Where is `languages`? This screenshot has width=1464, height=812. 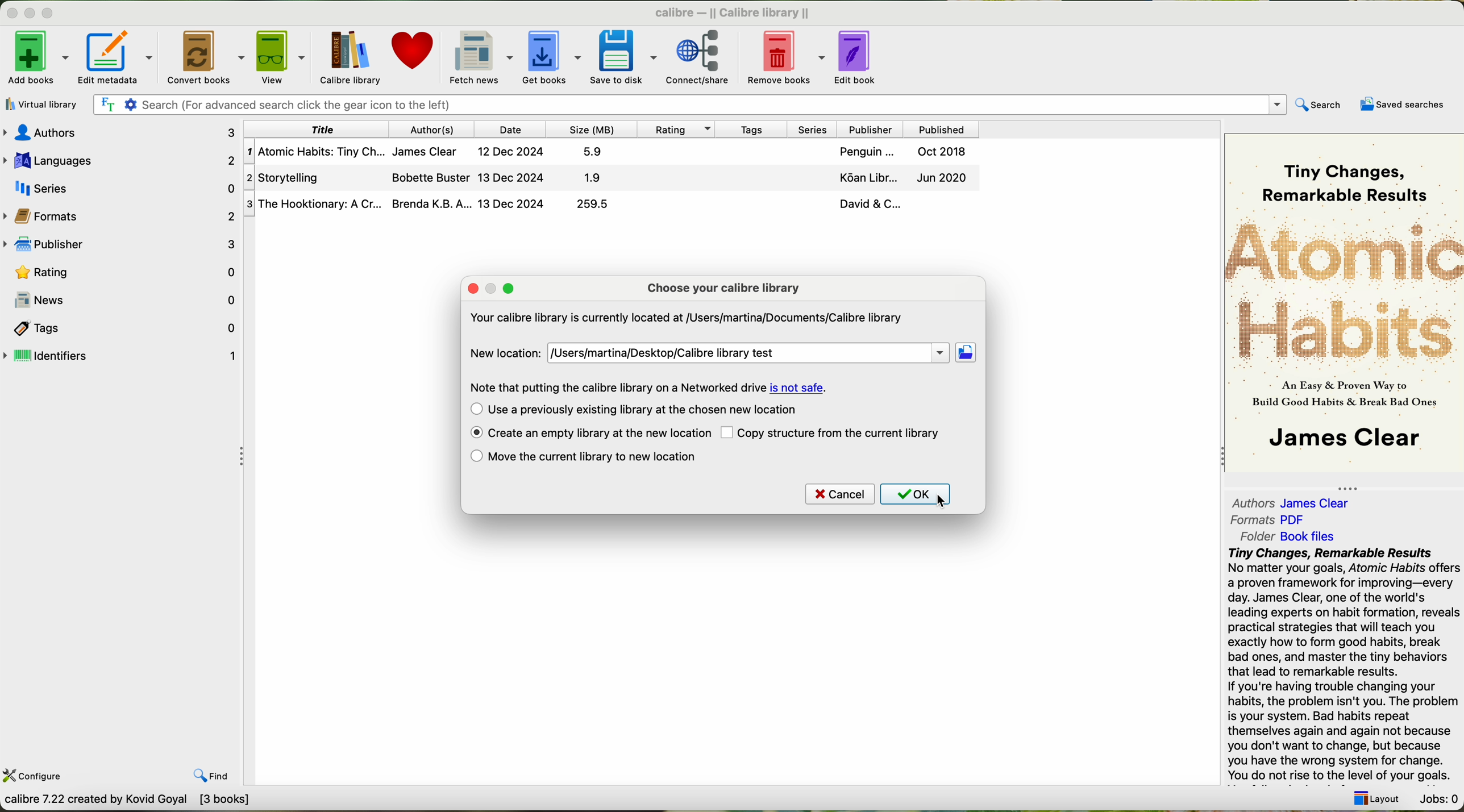
languages is located at coordinates (120, 159).